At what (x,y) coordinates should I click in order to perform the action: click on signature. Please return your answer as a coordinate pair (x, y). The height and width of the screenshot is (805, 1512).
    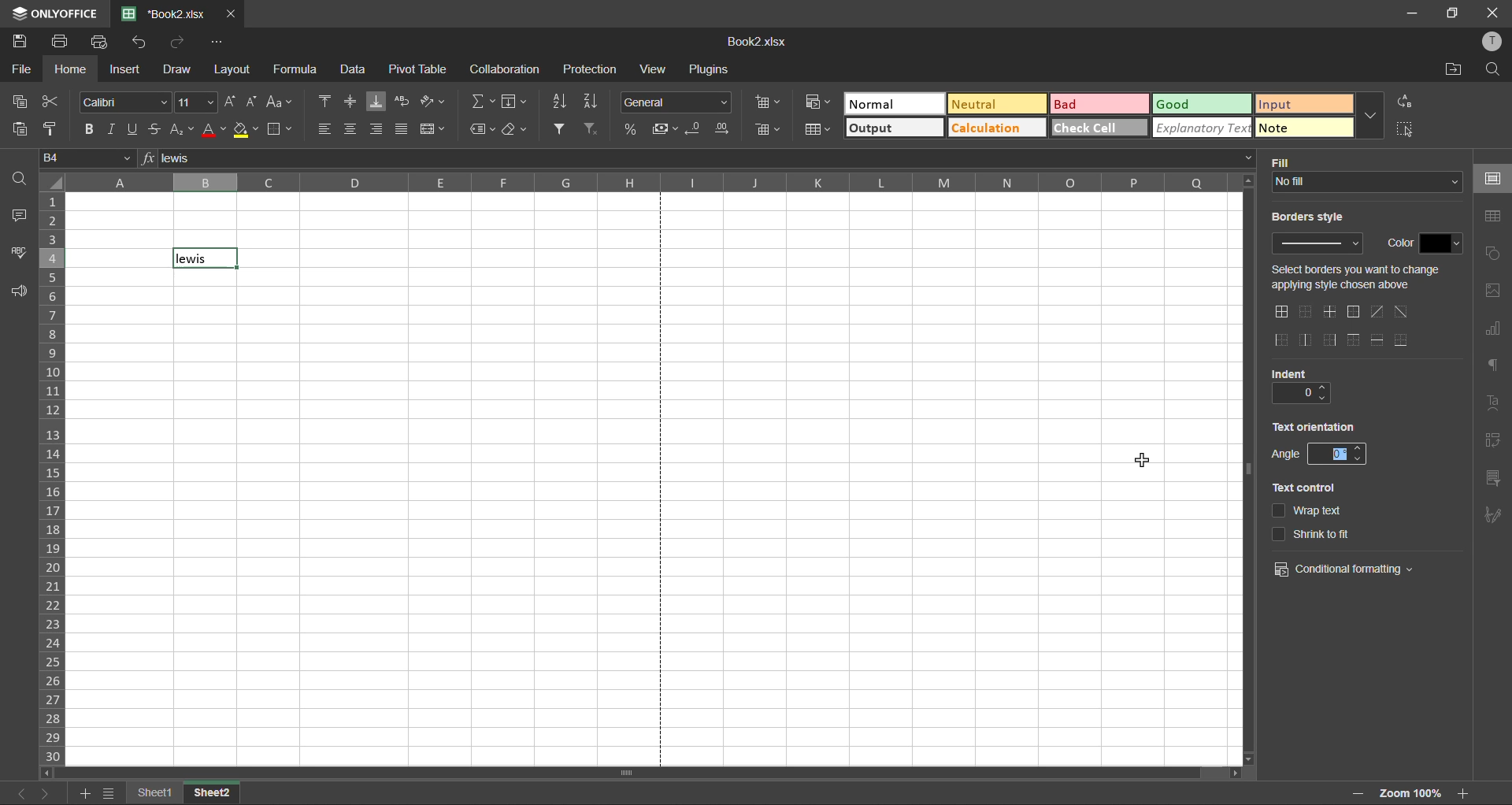
    Looking at the image, I should click on (1492, 518).